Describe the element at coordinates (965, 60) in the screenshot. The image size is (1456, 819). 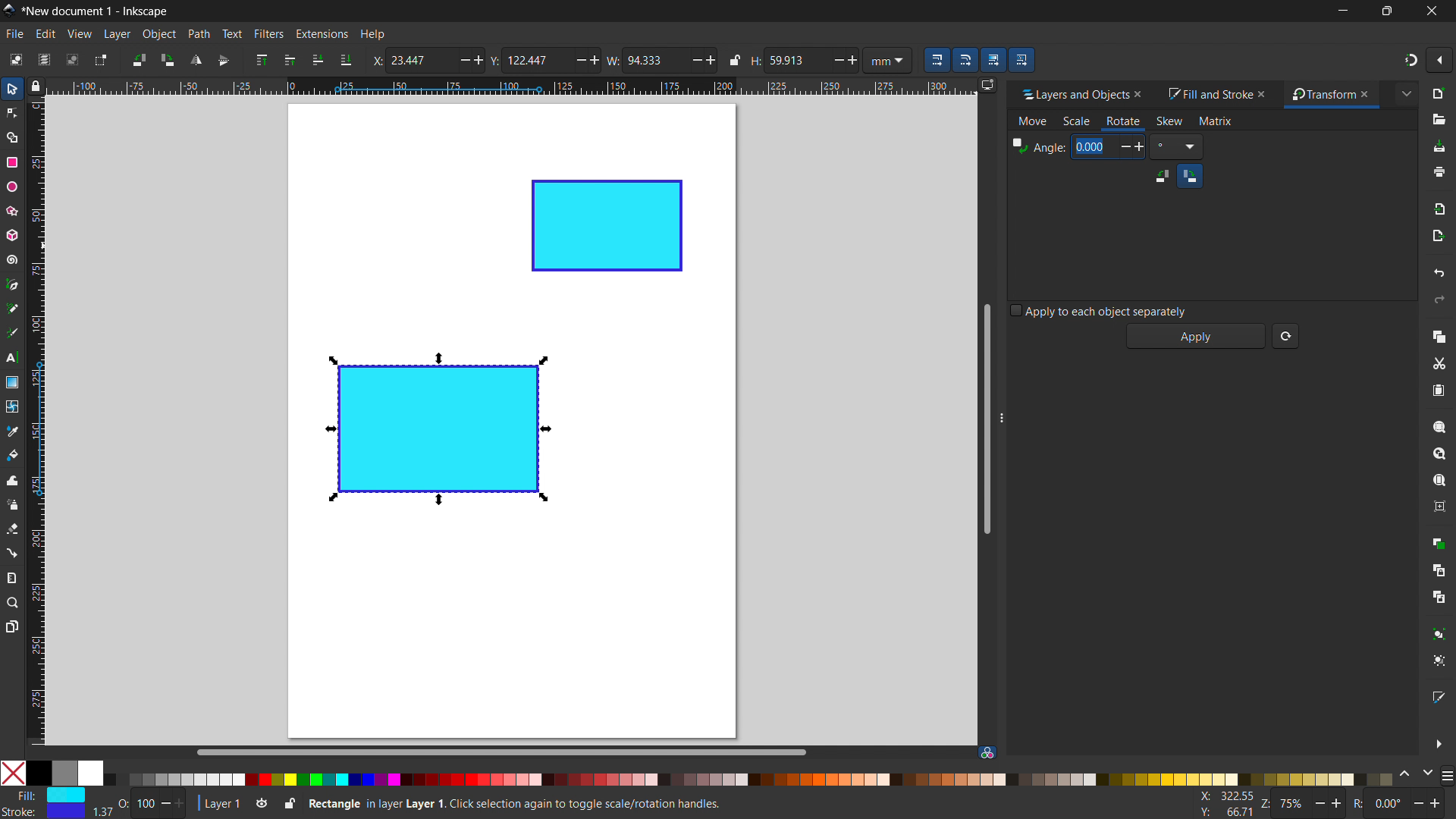
I see `when scaling rectangle, scale the radii of the rounded corners` at that location.